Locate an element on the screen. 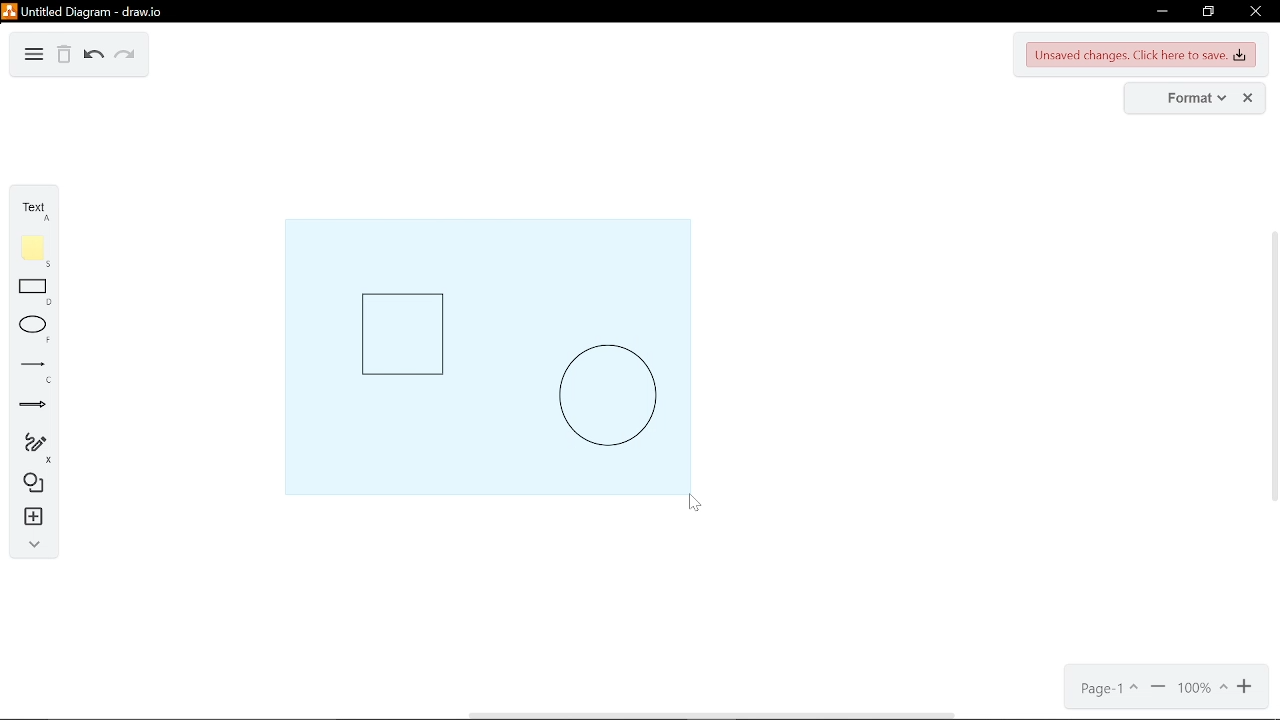  insert is located at coordinates (28, 518).